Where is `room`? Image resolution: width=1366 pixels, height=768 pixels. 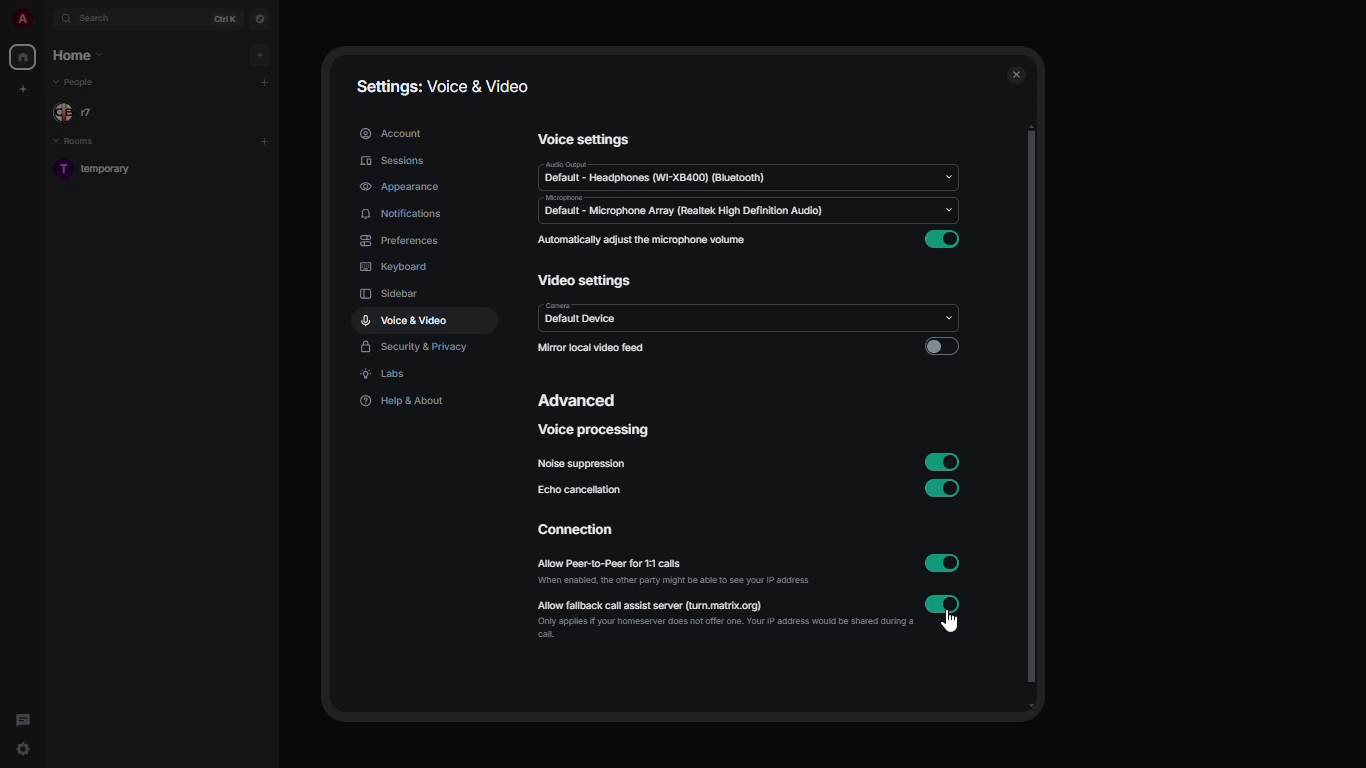 room is located at coordinates (103, 170).